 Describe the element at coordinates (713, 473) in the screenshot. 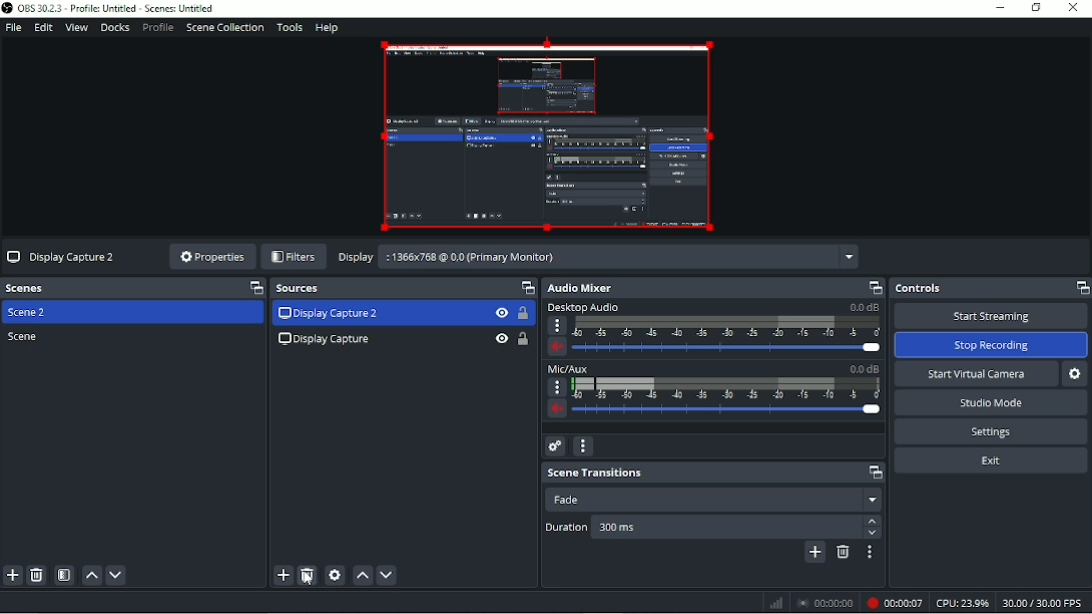

I see `Scene transitions` at that location.